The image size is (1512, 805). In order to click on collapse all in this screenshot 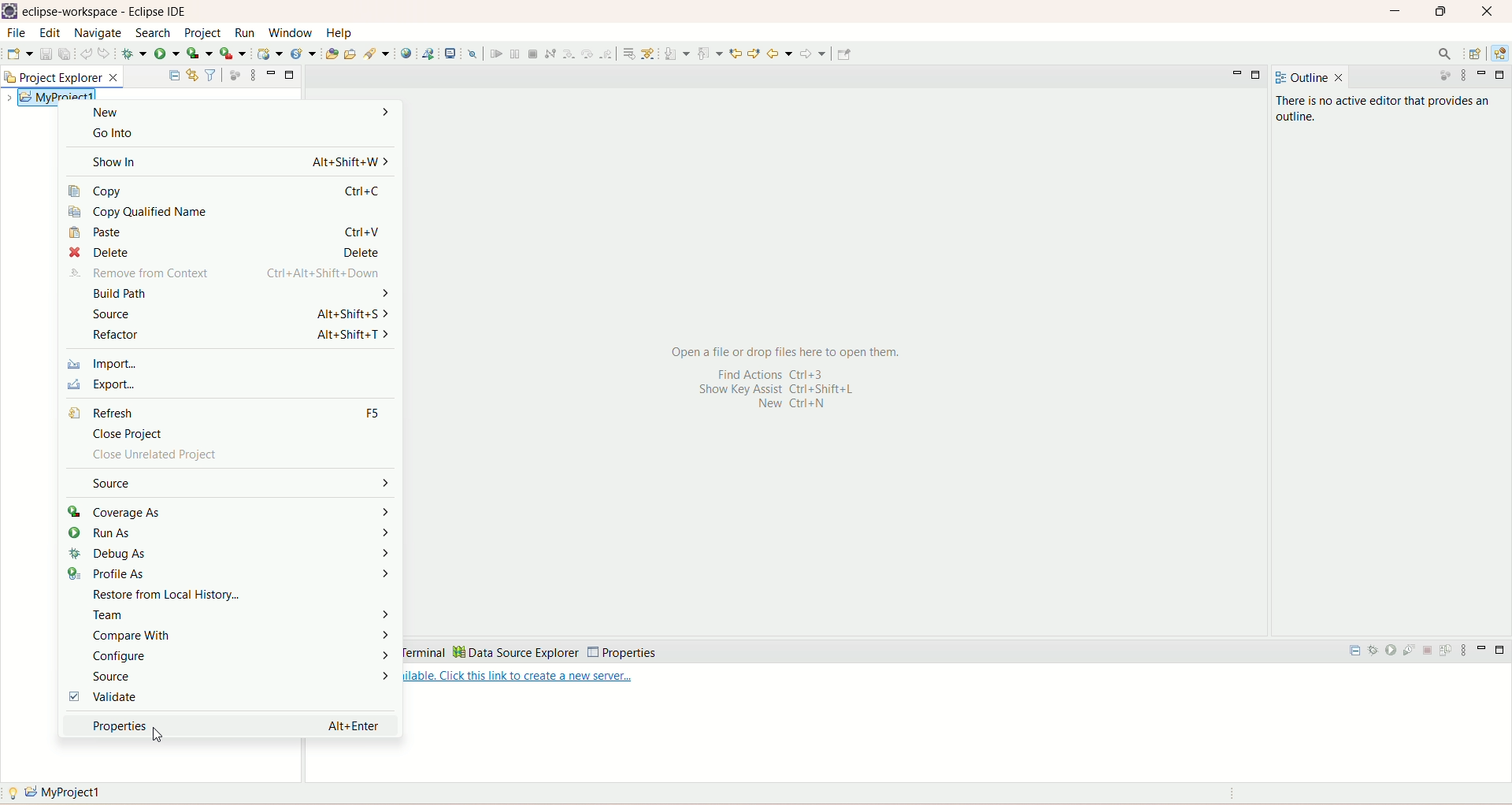, I will do `click(174, 72)`.